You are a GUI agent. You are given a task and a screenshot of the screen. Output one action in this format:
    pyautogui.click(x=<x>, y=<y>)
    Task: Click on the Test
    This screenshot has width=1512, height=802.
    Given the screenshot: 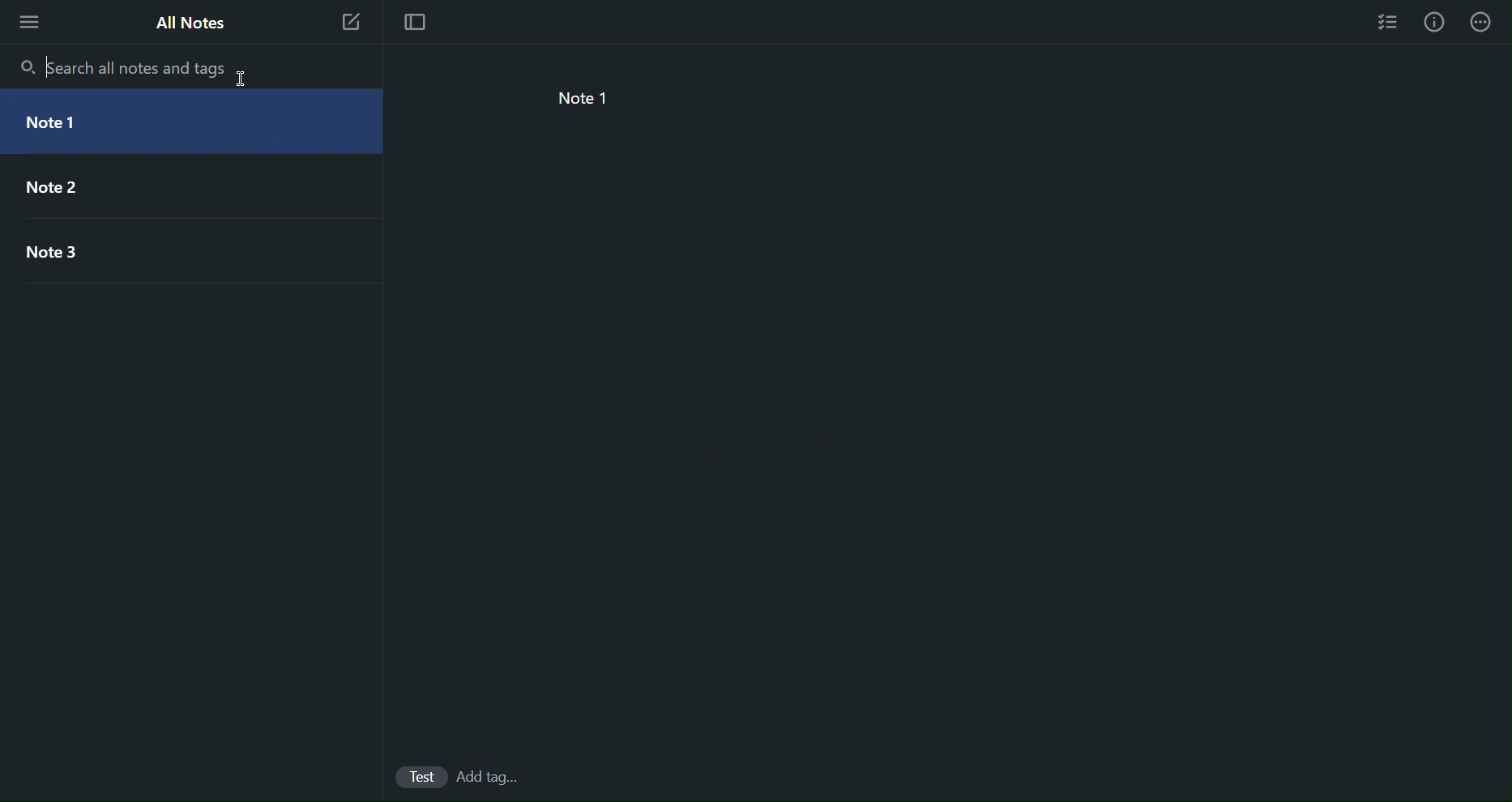 What is the action you would take?
    pyautogui.click(x=417, y=778)
    